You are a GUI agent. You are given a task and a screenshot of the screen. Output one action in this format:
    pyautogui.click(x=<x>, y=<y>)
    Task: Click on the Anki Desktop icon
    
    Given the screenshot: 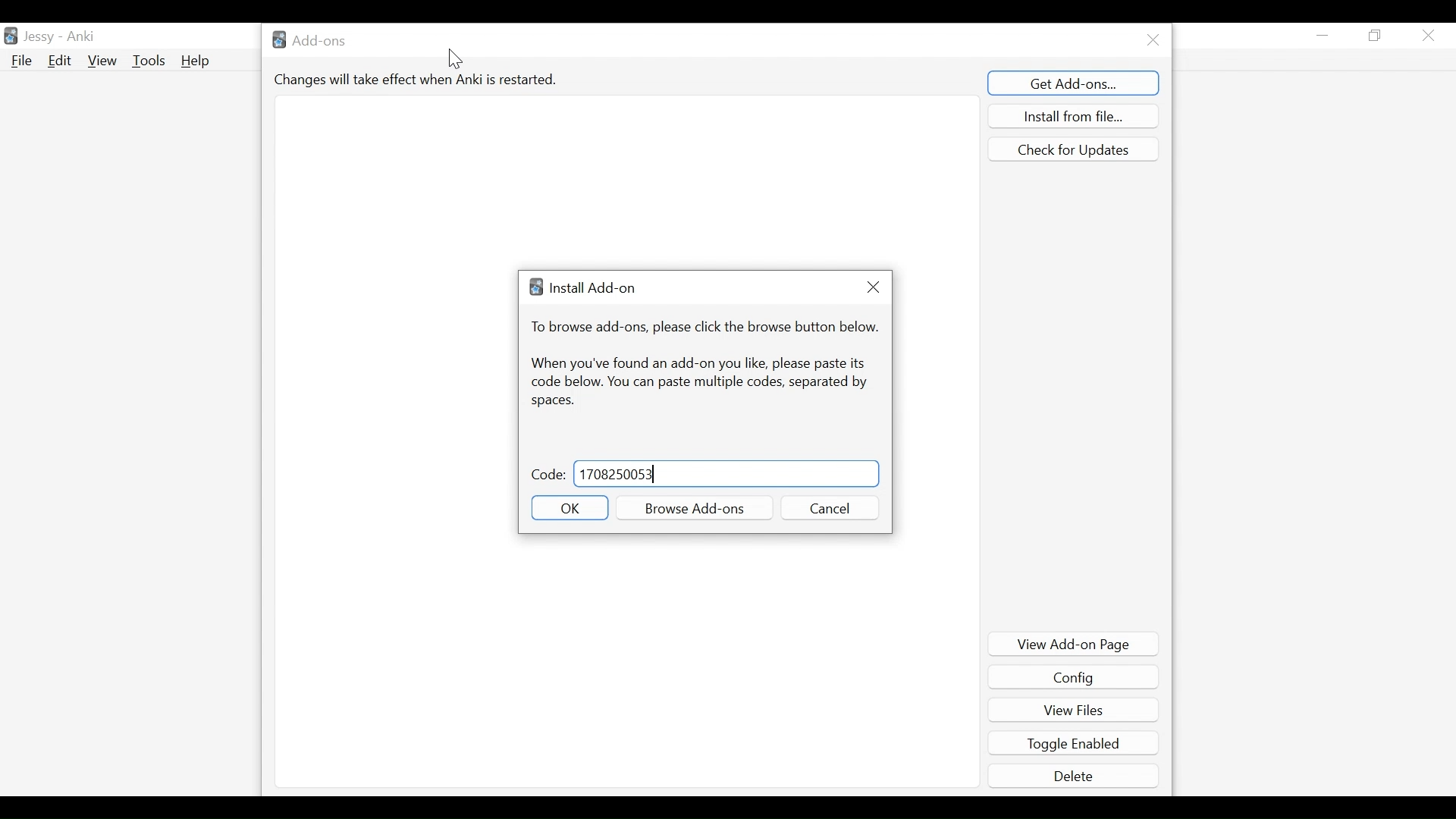 What is the action you would take?
    pyautogui.click(x=11, y=36)
    